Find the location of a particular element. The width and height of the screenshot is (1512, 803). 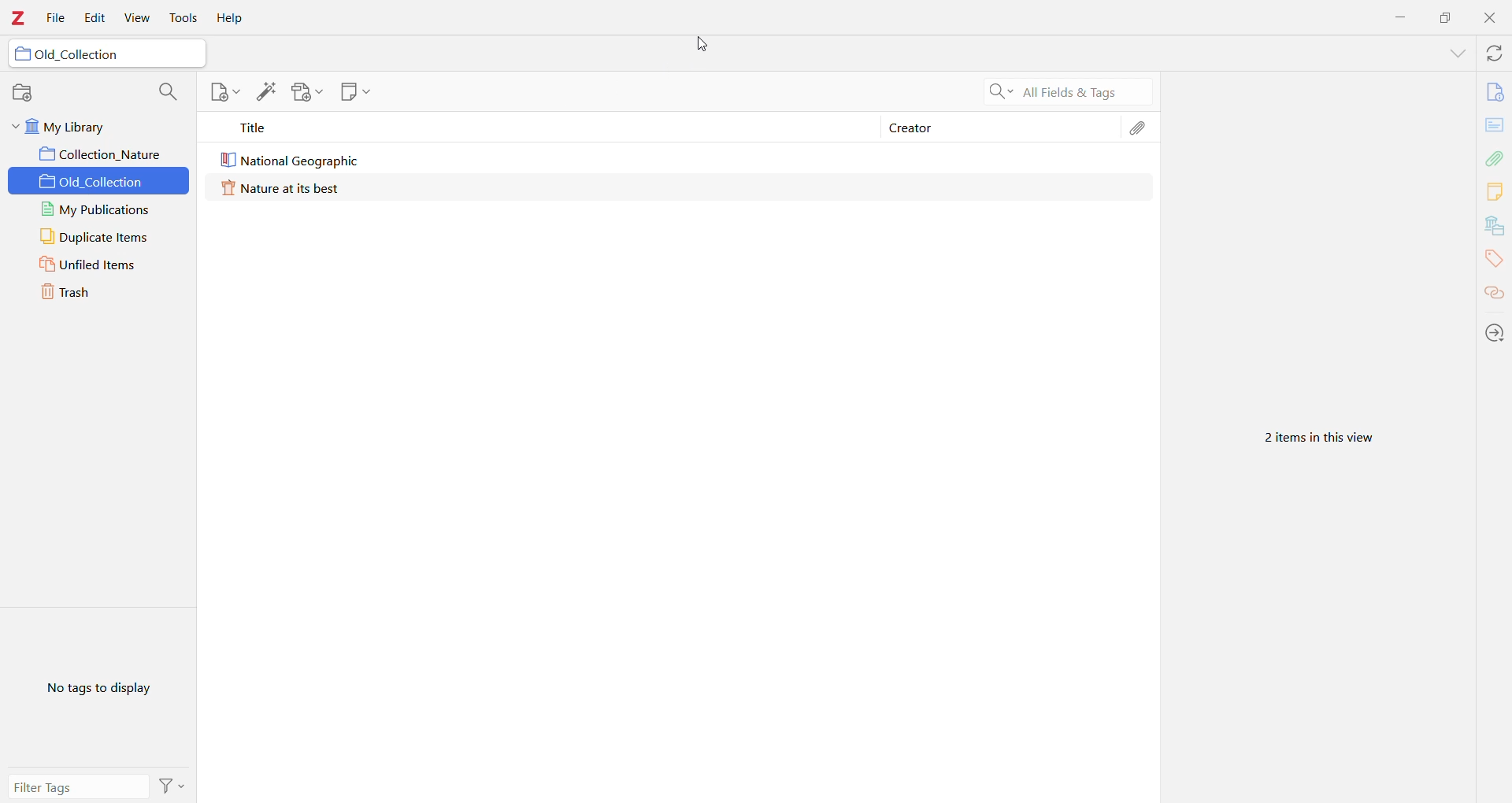

Duplicate Items is located at coordinates (99, 238).